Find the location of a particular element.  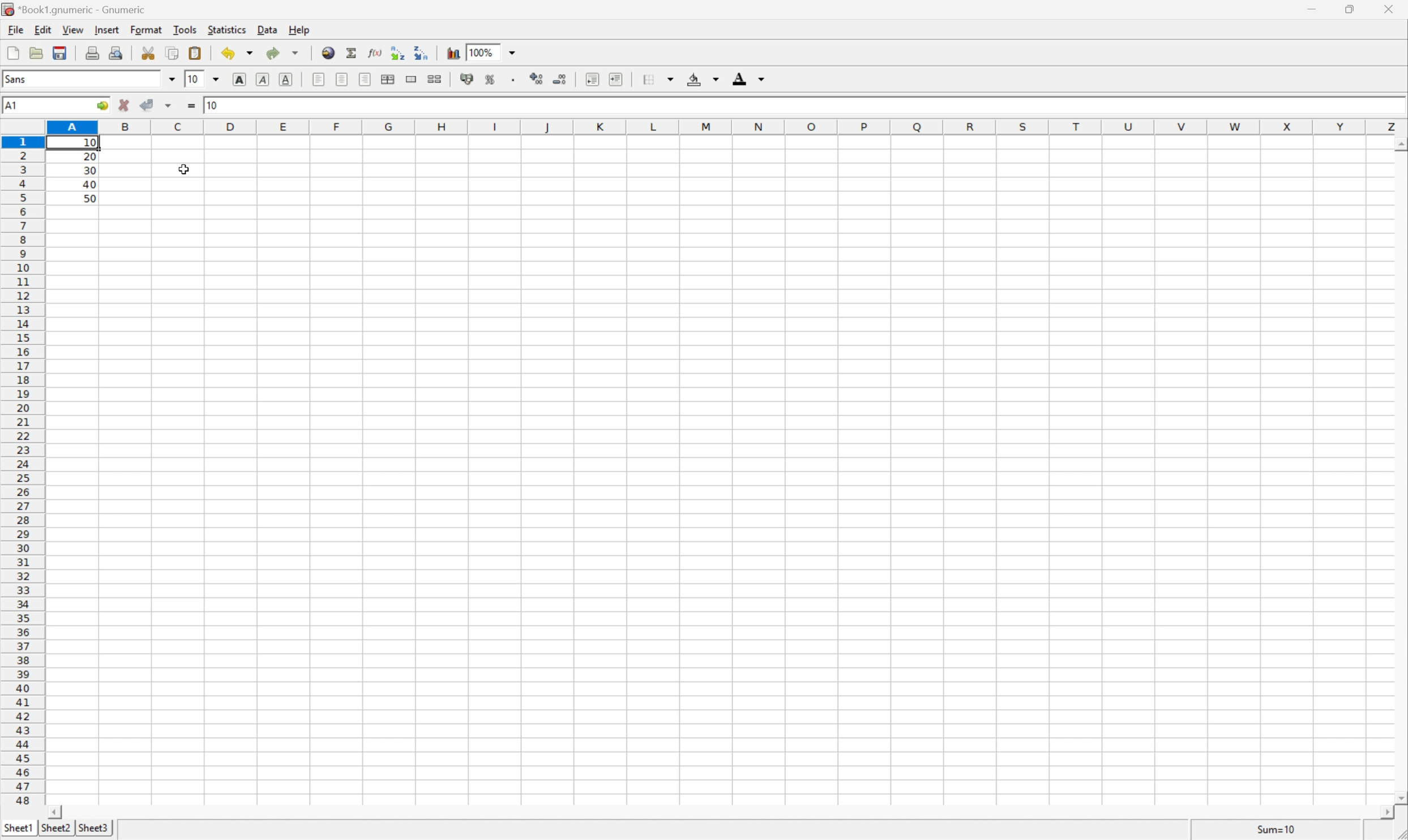

Increase the number of decimals displayed is located at coordinates (538, 78).